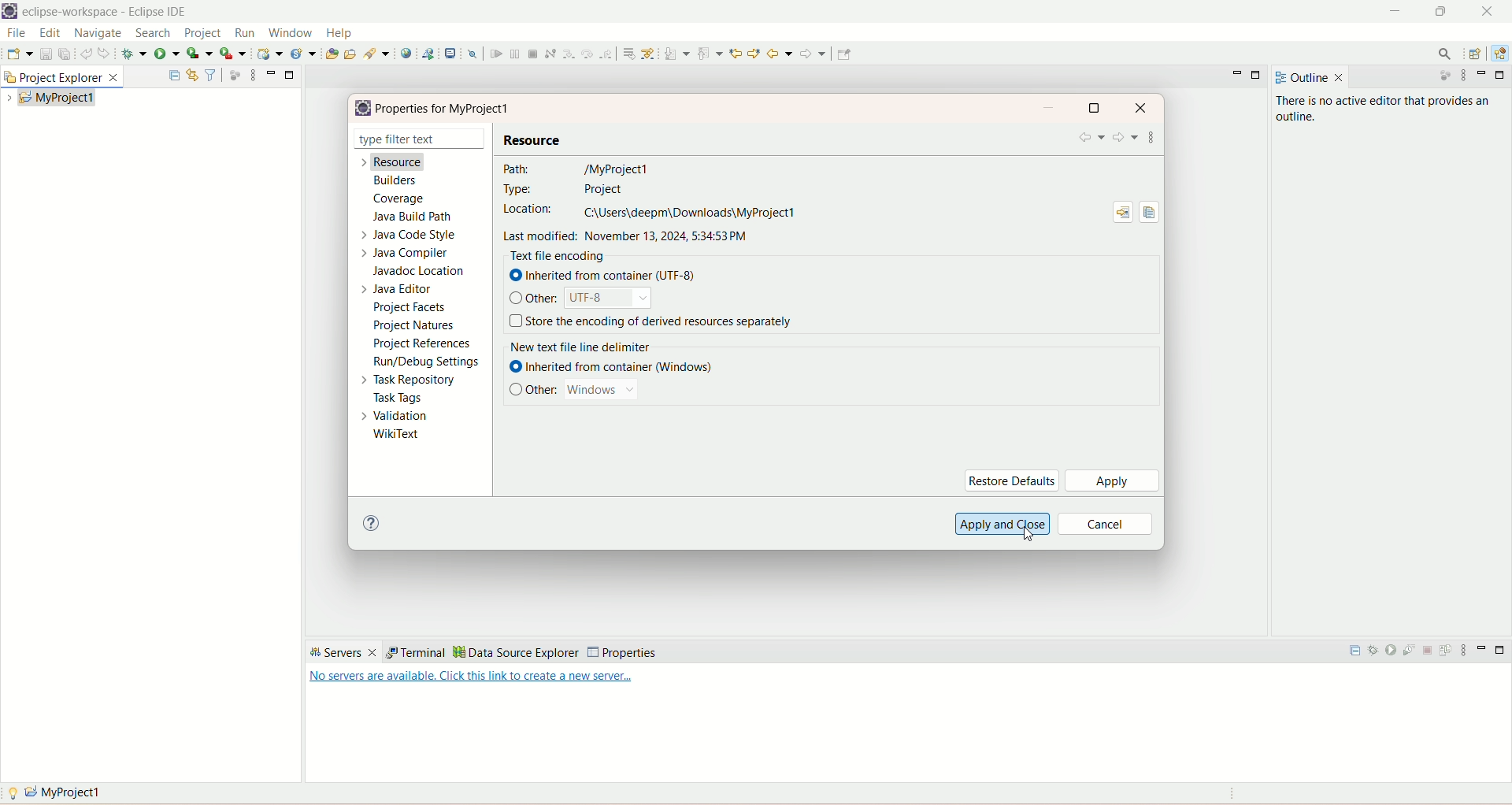  Describe the element at coordinates (472, 680) in the screenshot. I see `text` at that location.